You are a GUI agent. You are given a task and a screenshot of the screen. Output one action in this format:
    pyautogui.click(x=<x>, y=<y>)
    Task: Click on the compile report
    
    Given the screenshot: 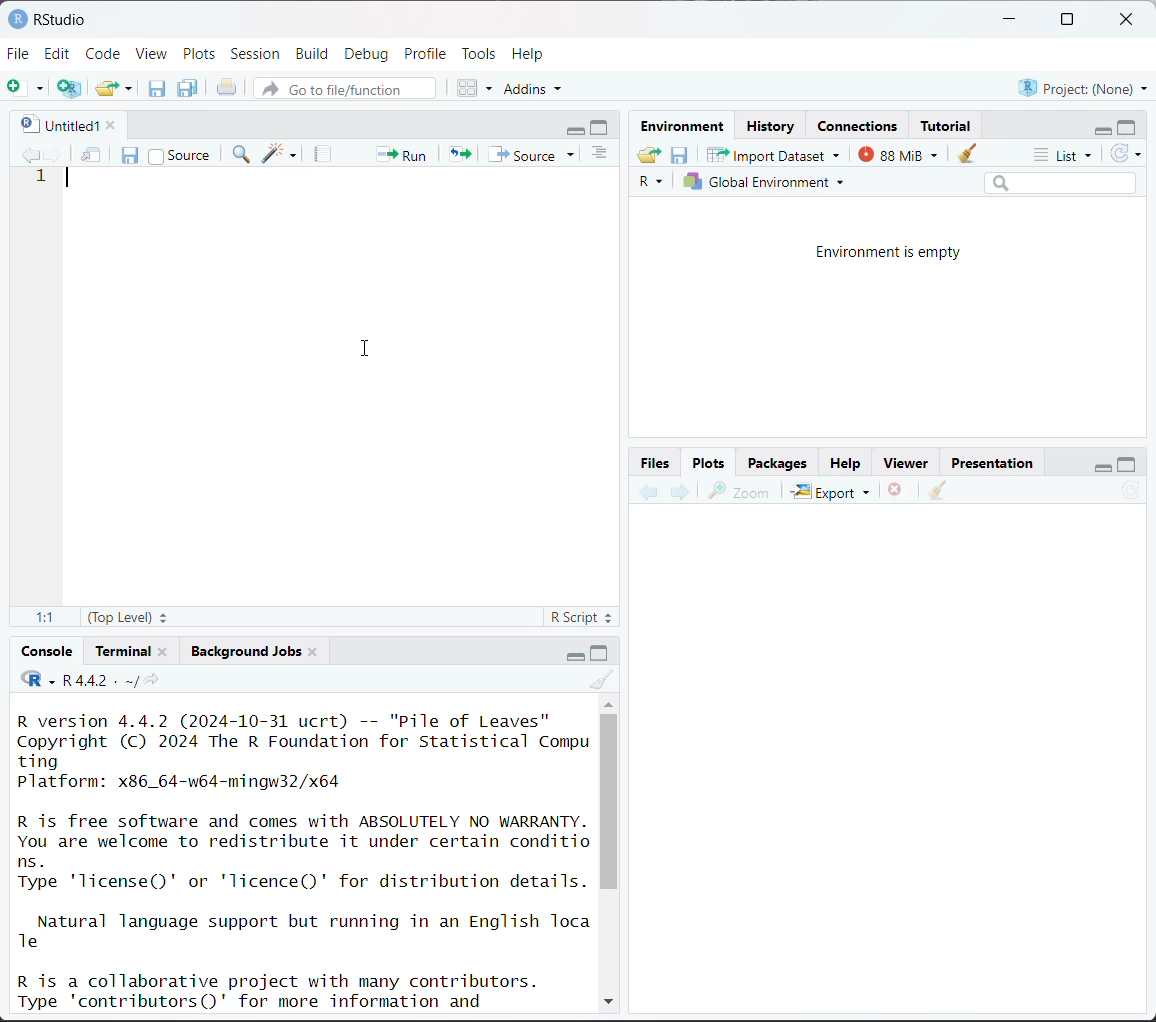 What is the action you would take?
    pyautogui.click(x=325, y=154)
    